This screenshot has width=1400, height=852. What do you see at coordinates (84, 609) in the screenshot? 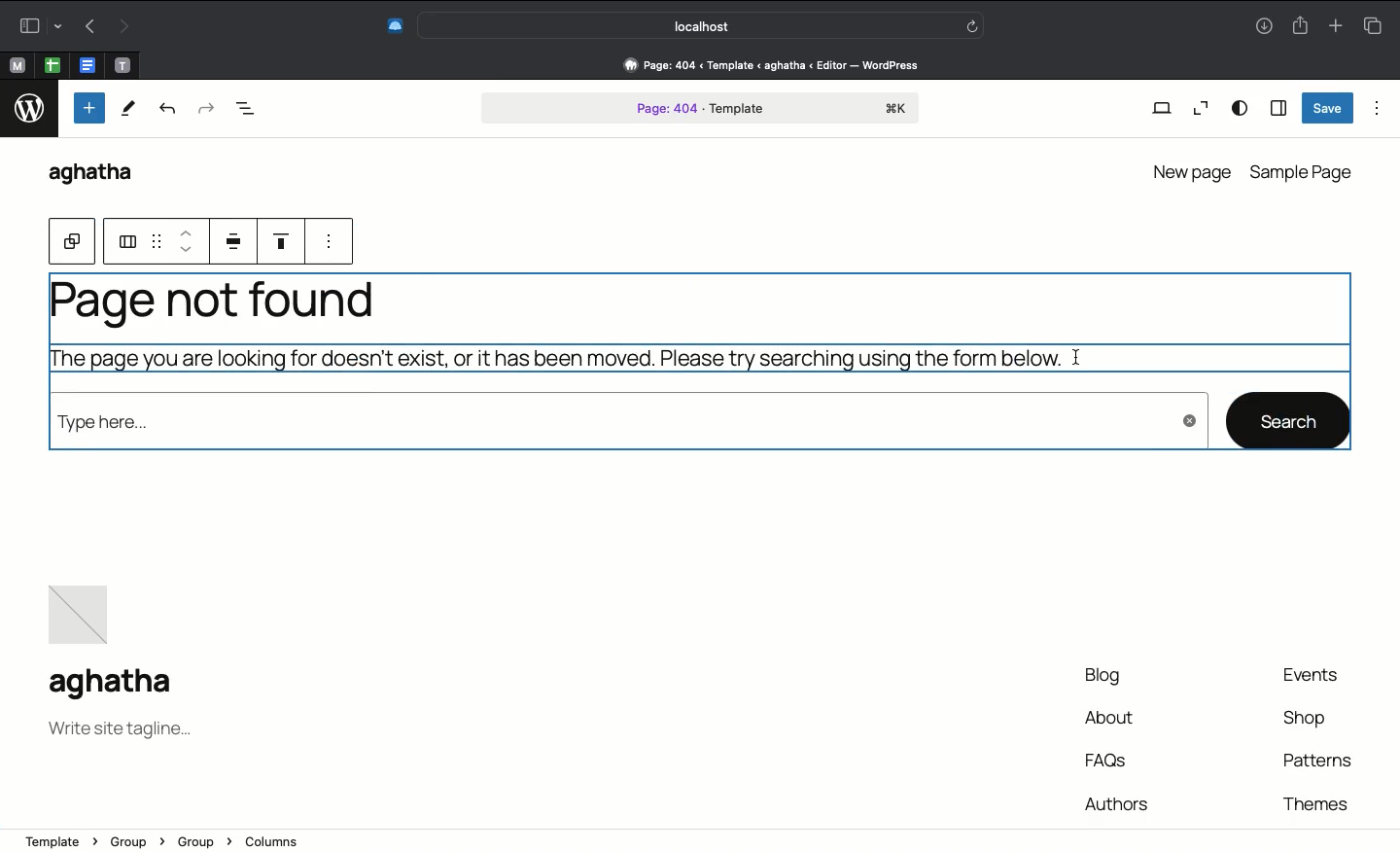
I see `Image` at bounding box center [84, 609].